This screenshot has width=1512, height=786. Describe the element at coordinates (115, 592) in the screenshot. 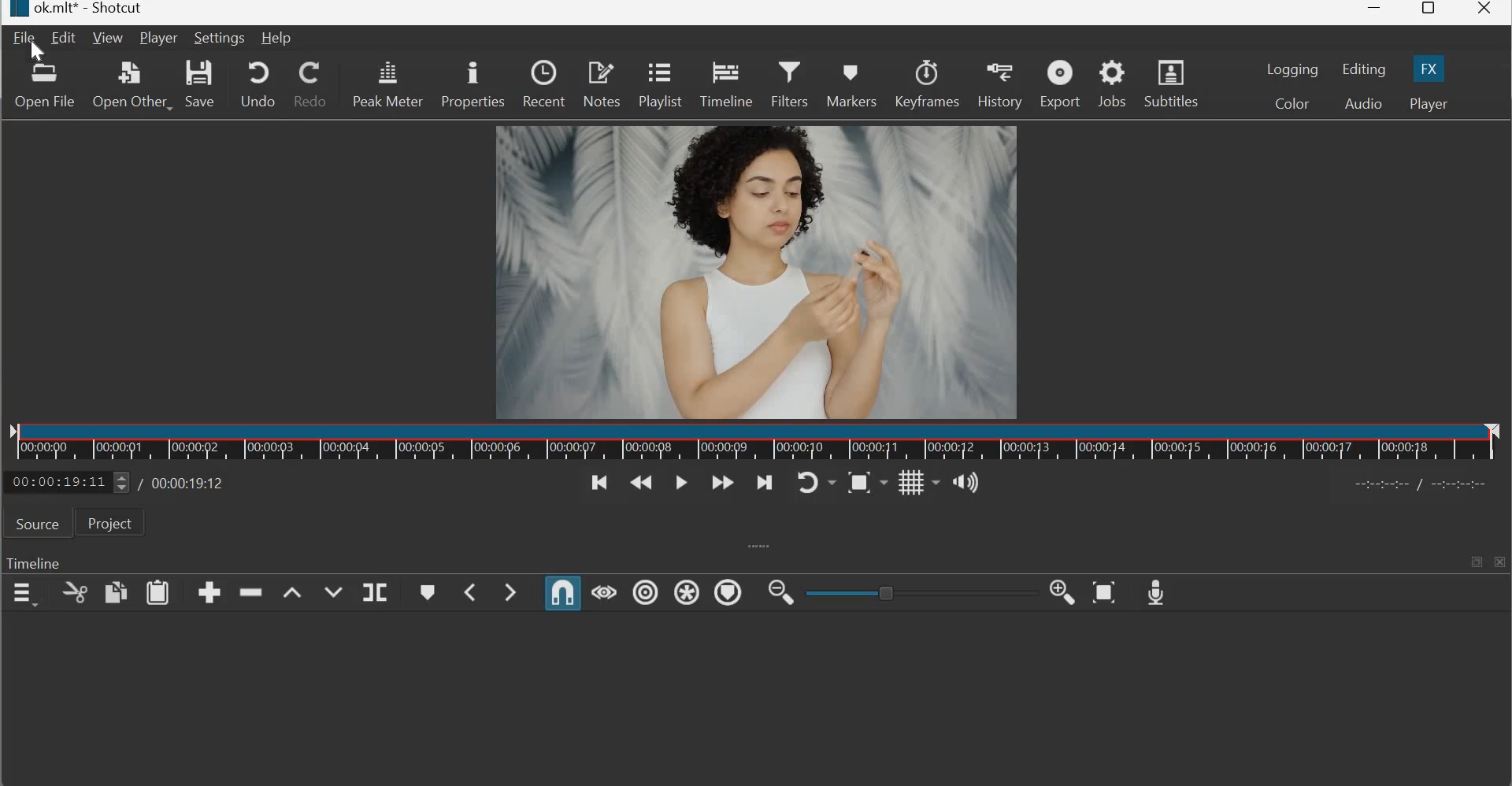

I see `copy` at that location.